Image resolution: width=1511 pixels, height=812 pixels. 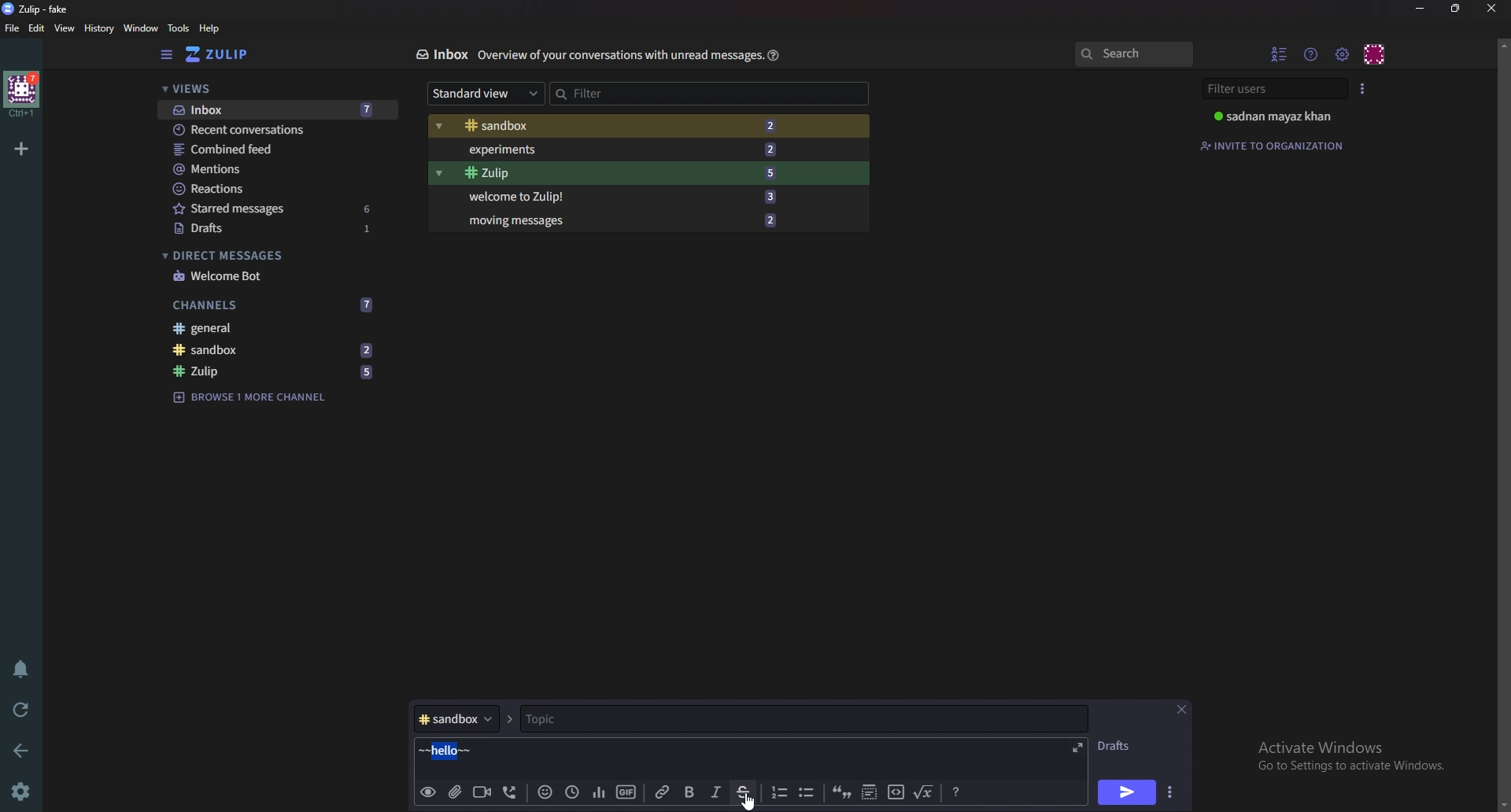 I want to click on Invite to organization, so click(x=1277, y=145).